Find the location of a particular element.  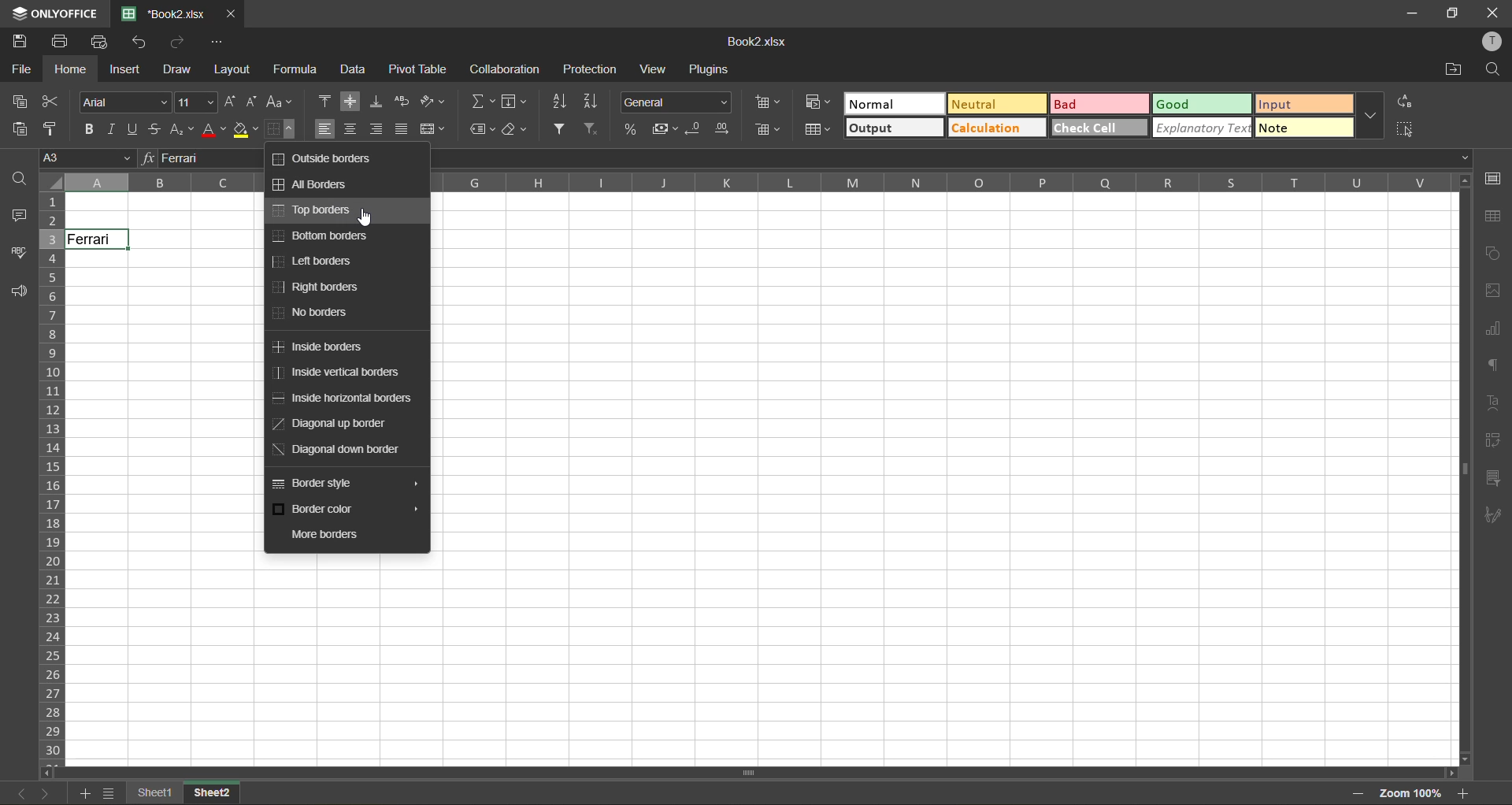

close is located at coordinates (1493, 12).